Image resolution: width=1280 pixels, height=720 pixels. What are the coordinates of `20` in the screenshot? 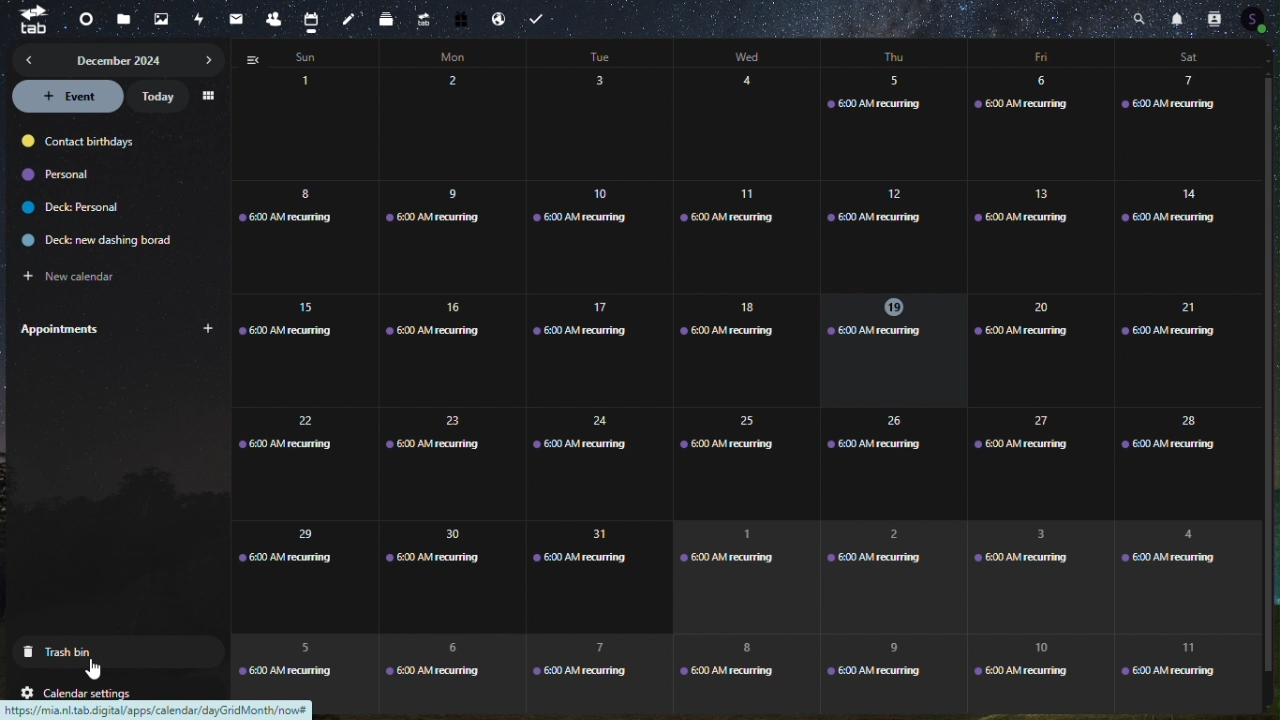 It's located at (1027, 348).